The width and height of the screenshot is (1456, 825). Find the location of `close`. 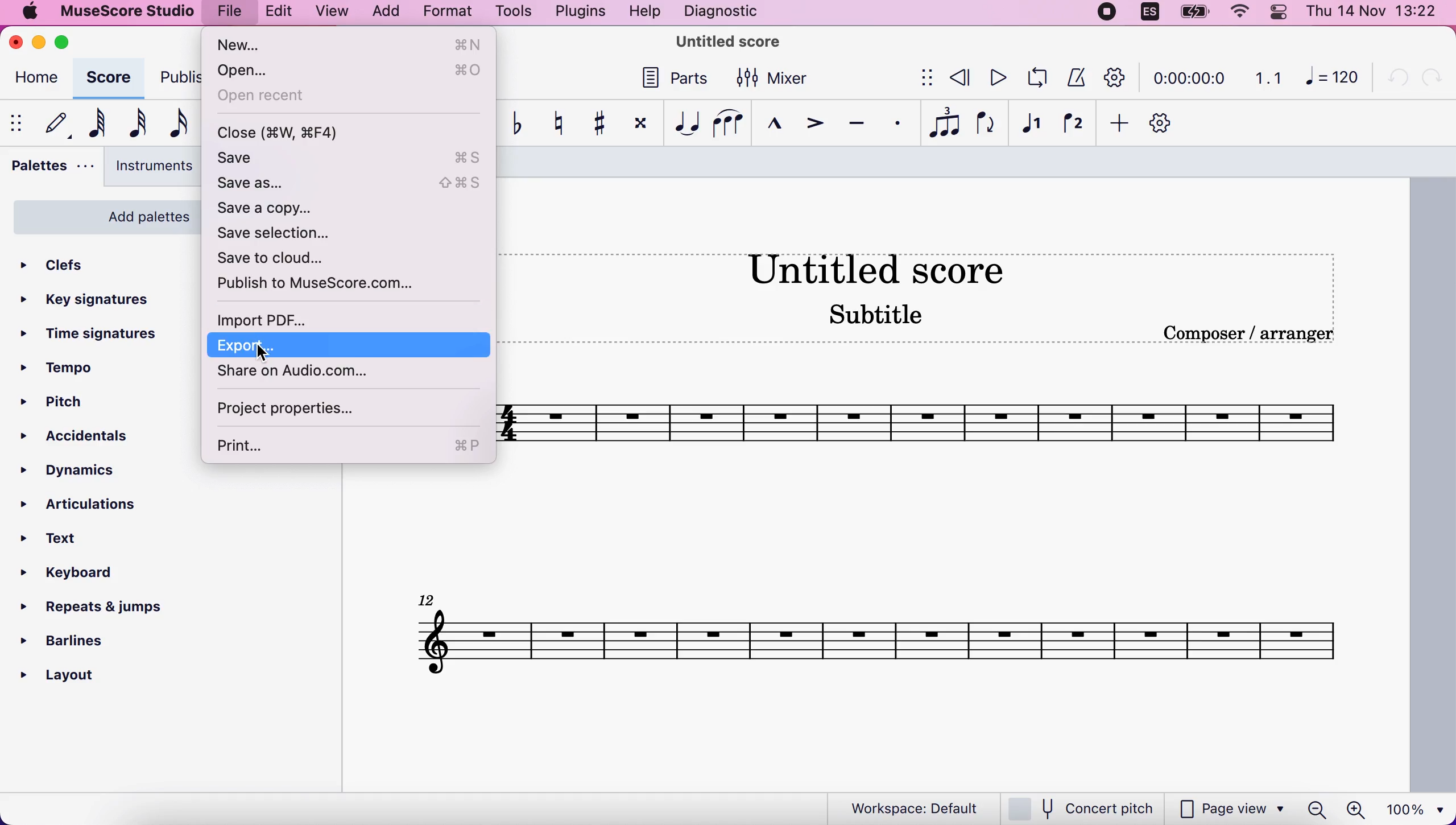

close is located at coordinates (18, 43).